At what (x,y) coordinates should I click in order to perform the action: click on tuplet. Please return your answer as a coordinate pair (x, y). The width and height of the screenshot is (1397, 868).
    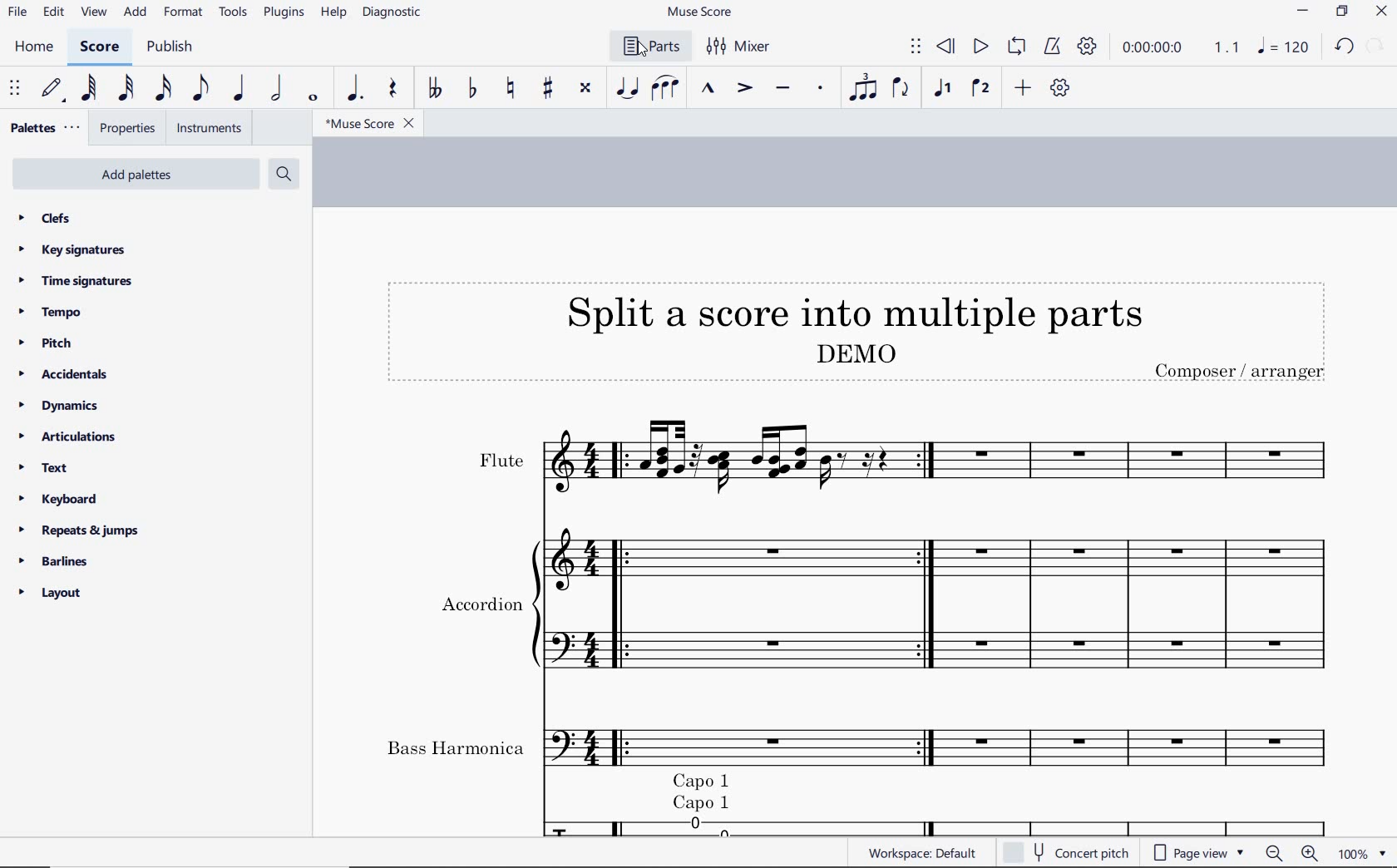
    Looking at the image, I should click on (864, 88).